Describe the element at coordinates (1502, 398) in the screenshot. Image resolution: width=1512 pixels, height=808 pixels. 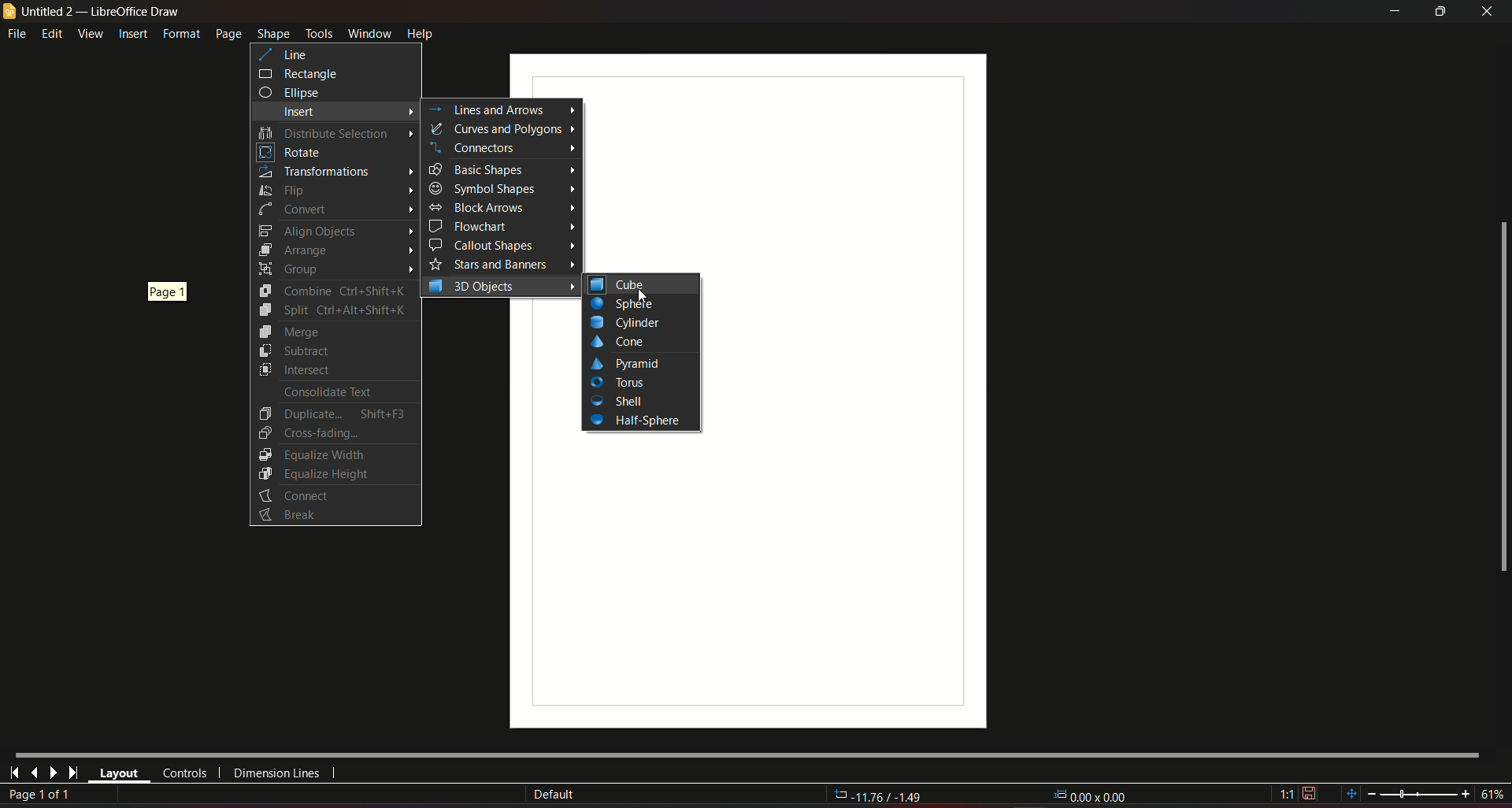
I see `scrollbar` at that location.